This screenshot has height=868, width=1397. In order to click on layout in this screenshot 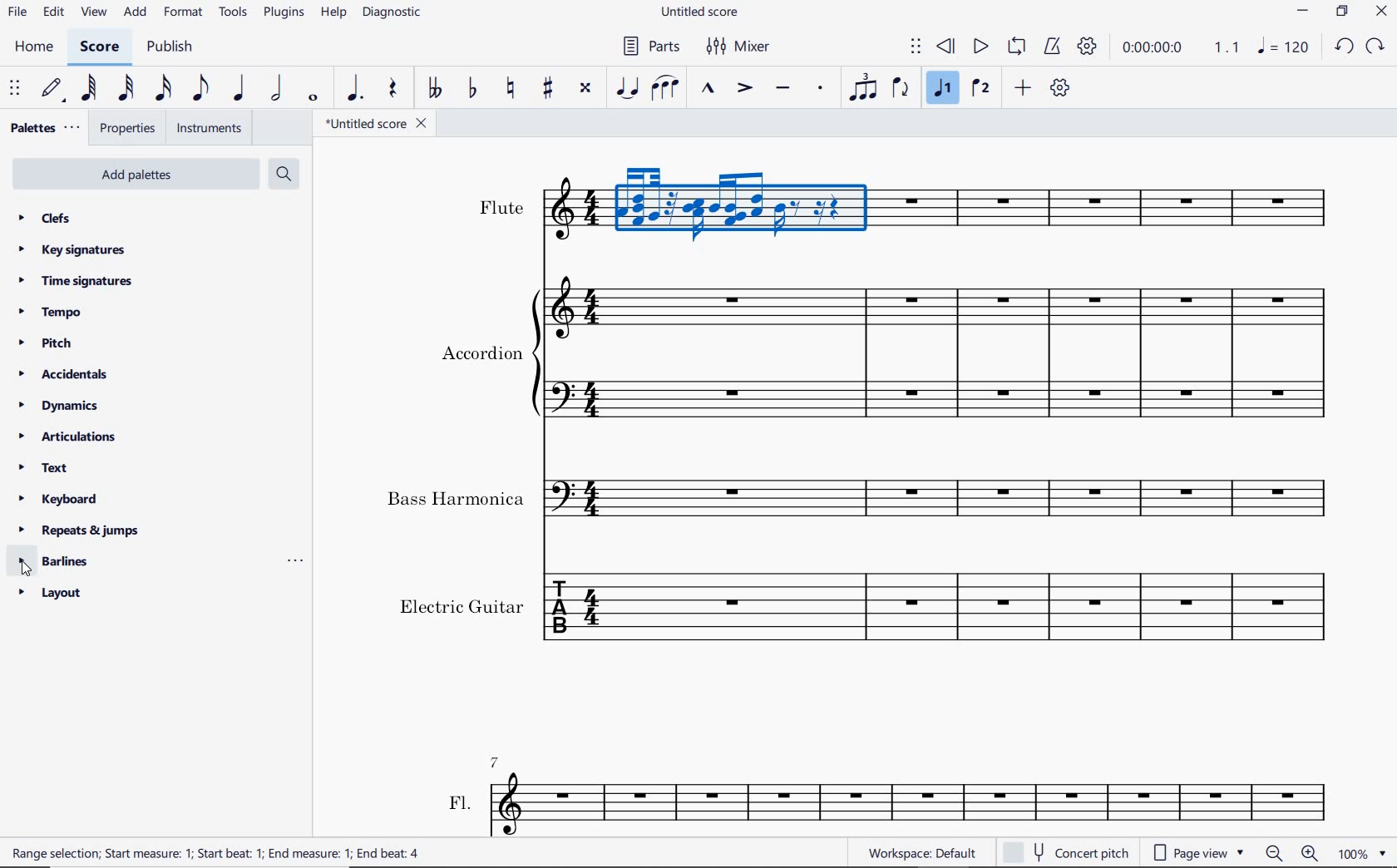, I will do `click(53, 595)`.